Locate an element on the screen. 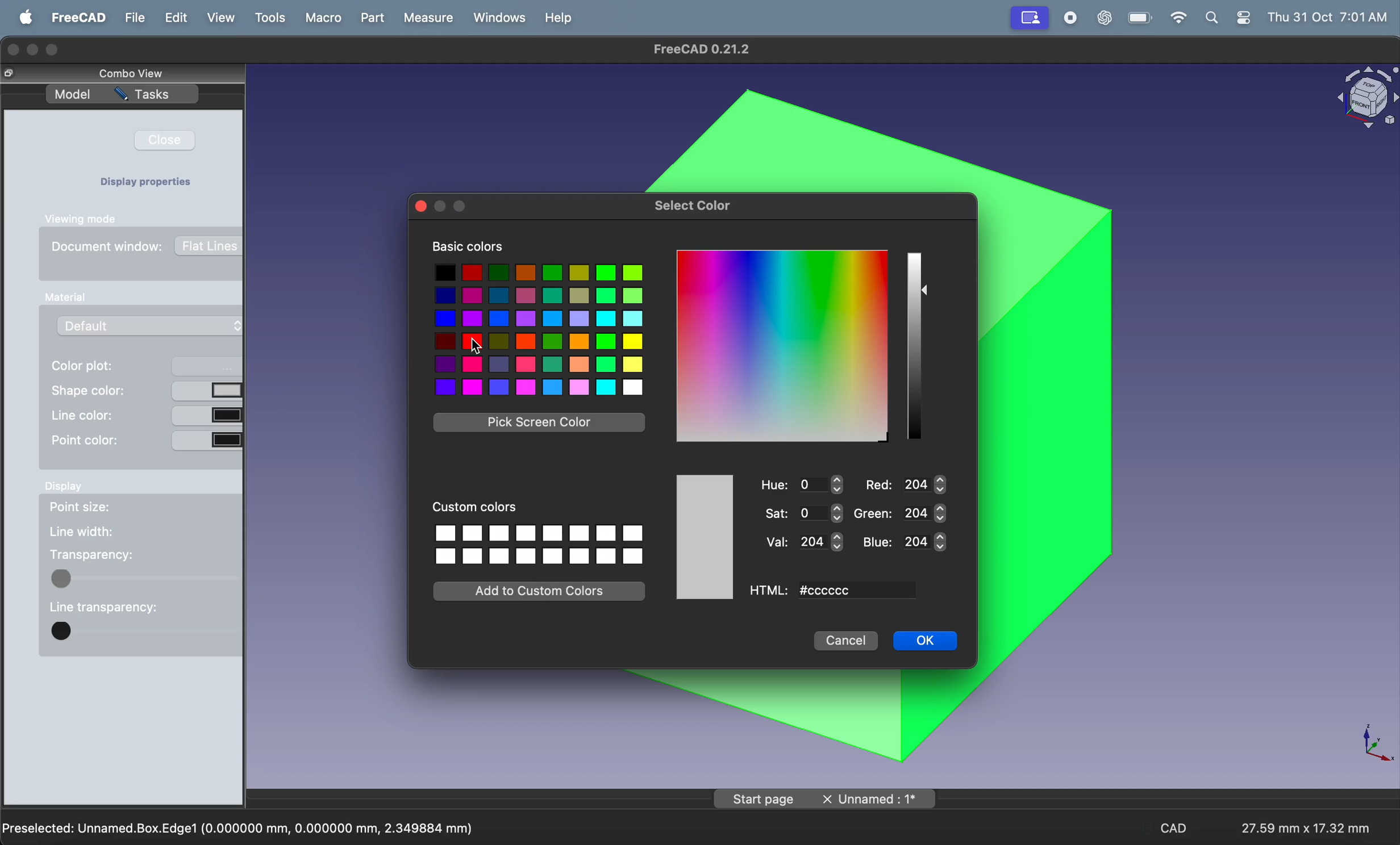  CAD is located at coordinates (1176, 830).